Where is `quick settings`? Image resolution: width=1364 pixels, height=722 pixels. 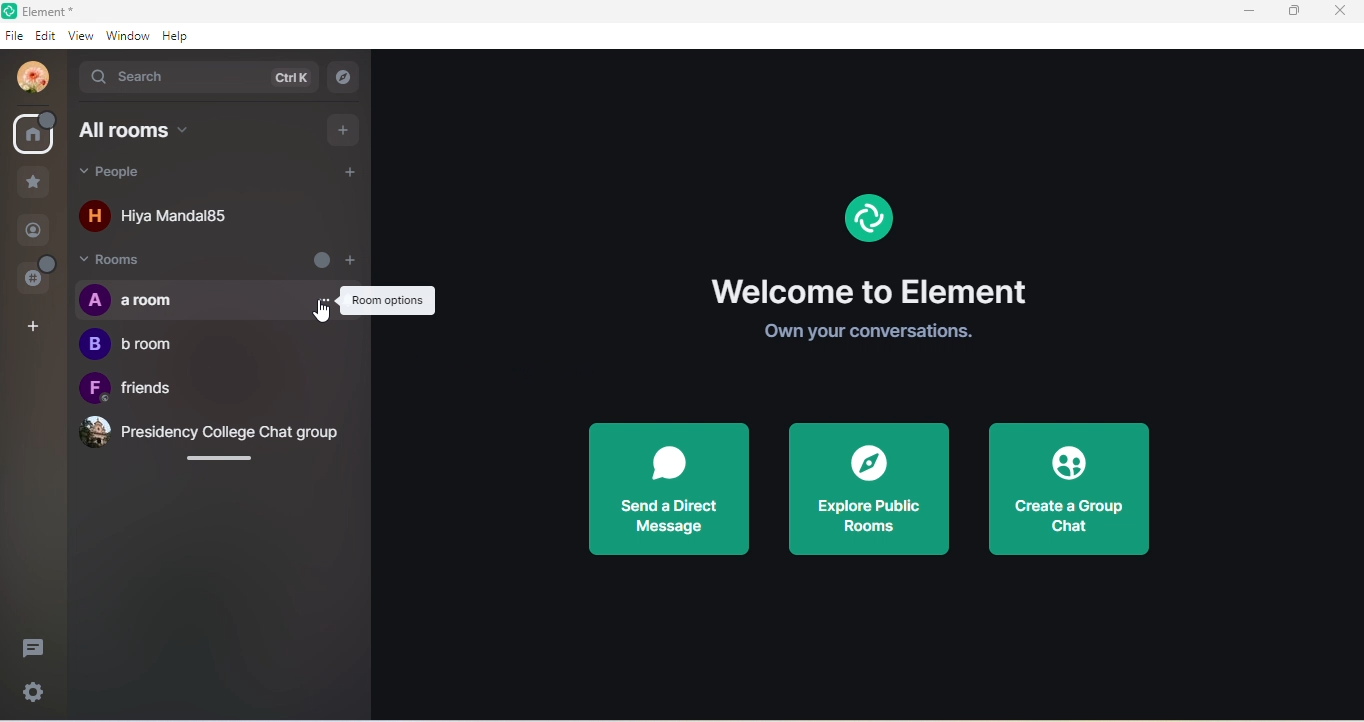
quick settings is located at coordinates (39, 695).